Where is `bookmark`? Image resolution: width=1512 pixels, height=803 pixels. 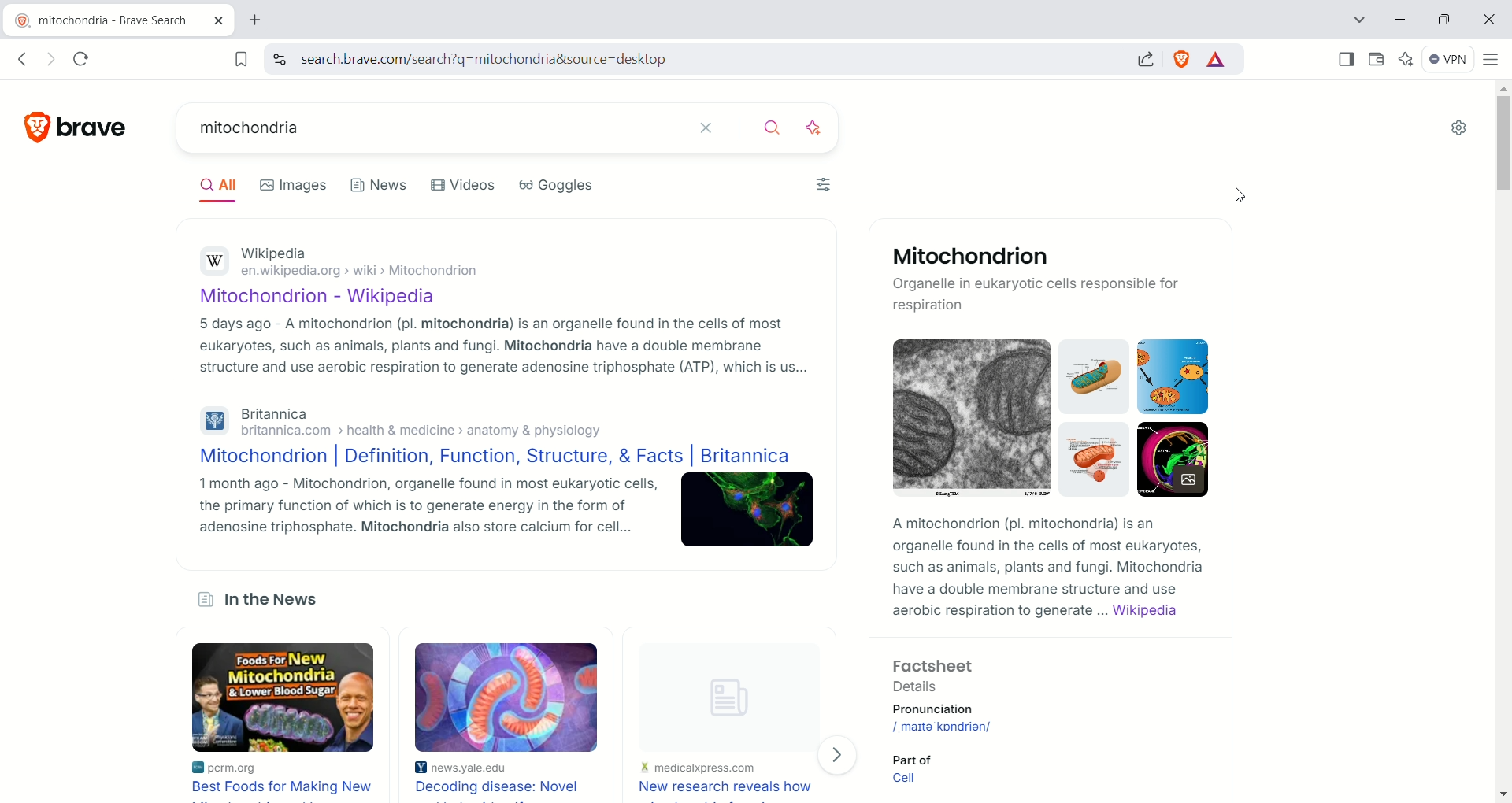 bookmark is located at coordinates (243, 60).